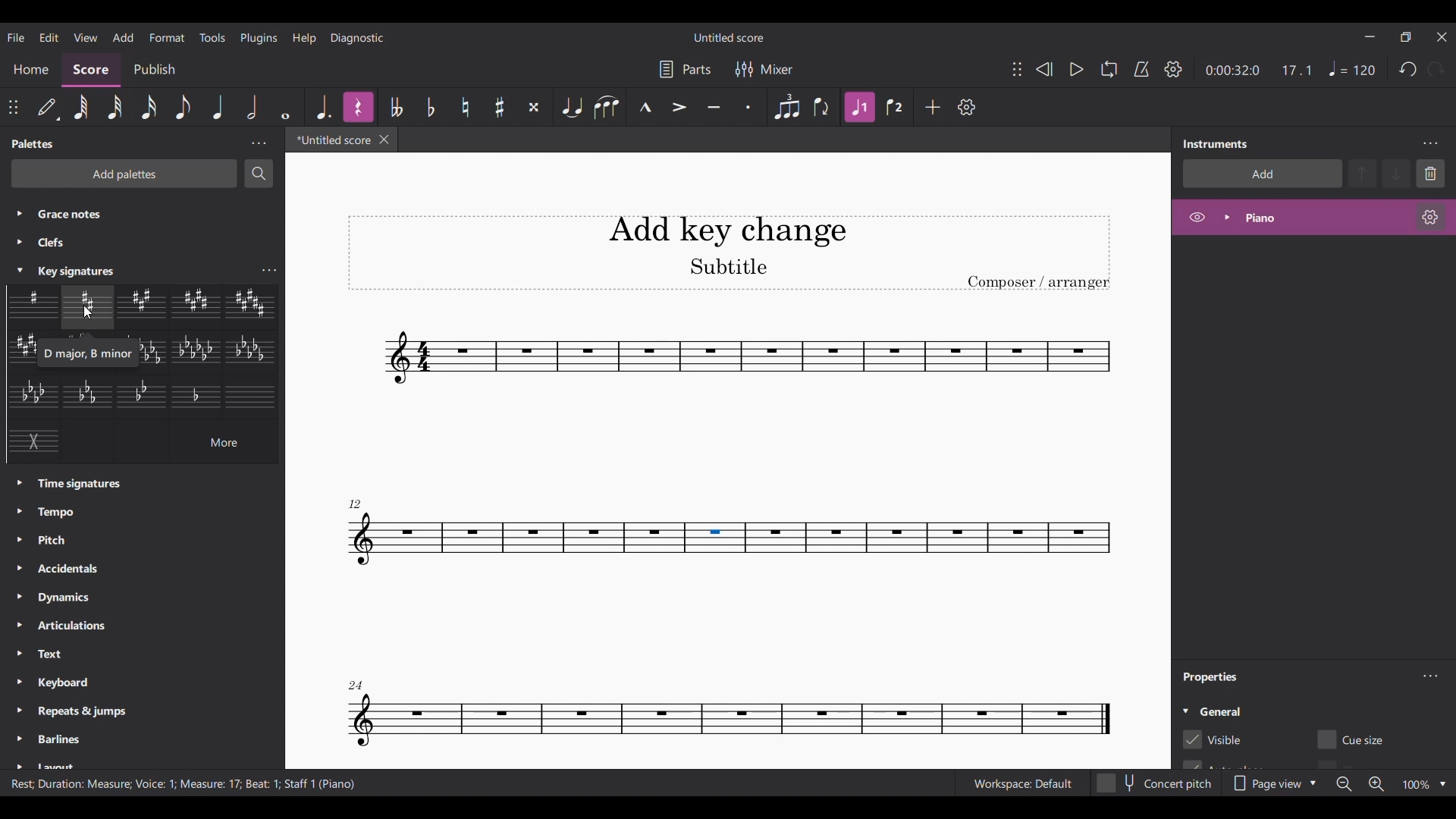 The width and height of the screenshot is (1456, 819). Describe the element at coordinates (212, 37) in the screenshot. I see `Tools menu` at that location.